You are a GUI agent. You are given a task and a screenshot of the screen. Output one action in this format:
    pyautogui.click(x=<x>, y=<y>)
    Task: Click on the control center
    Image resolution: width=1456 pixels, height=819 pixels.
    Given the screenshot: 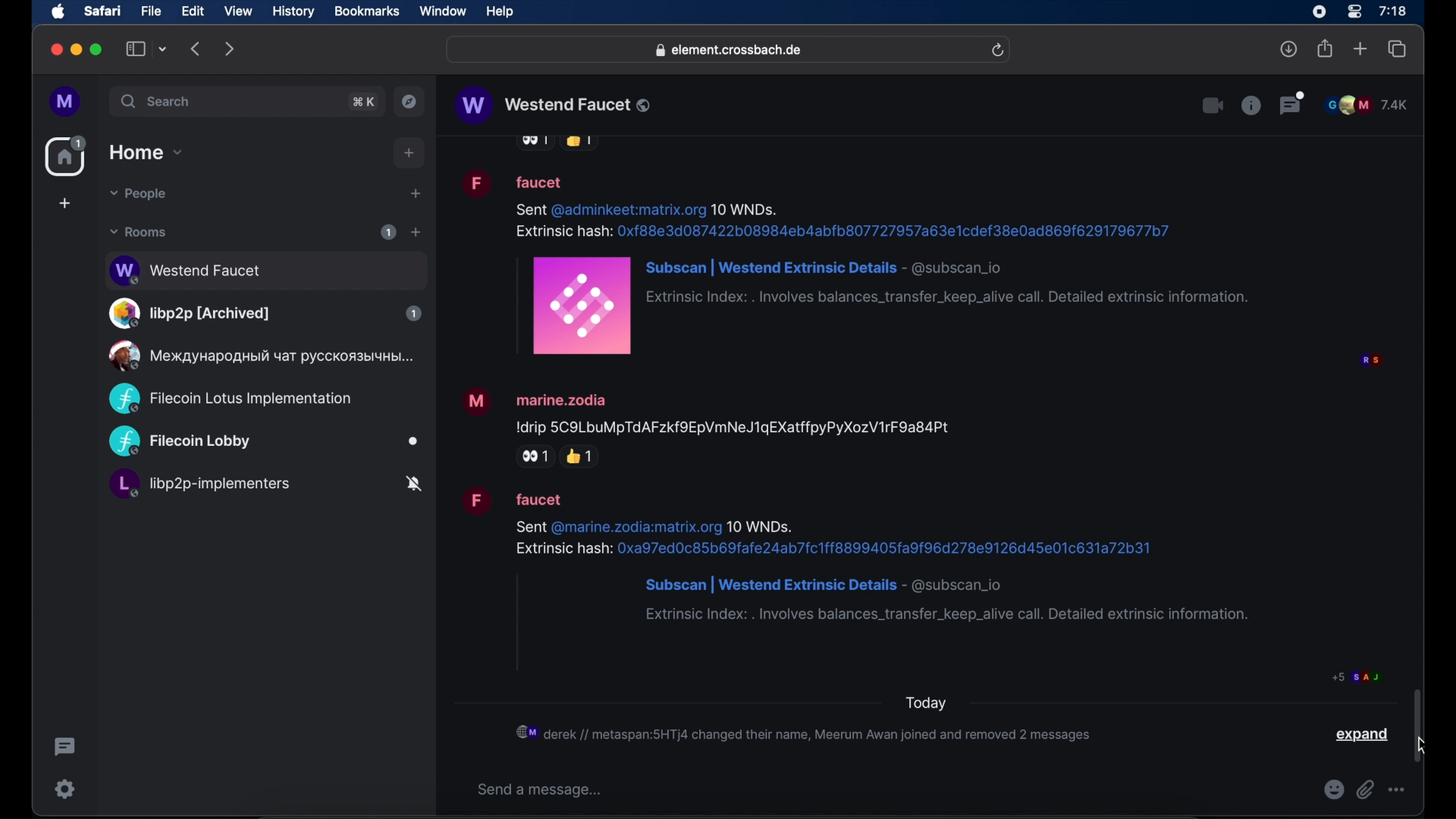 What is the action you would take?
    pyautogui.click(x=1353, y=12)
    